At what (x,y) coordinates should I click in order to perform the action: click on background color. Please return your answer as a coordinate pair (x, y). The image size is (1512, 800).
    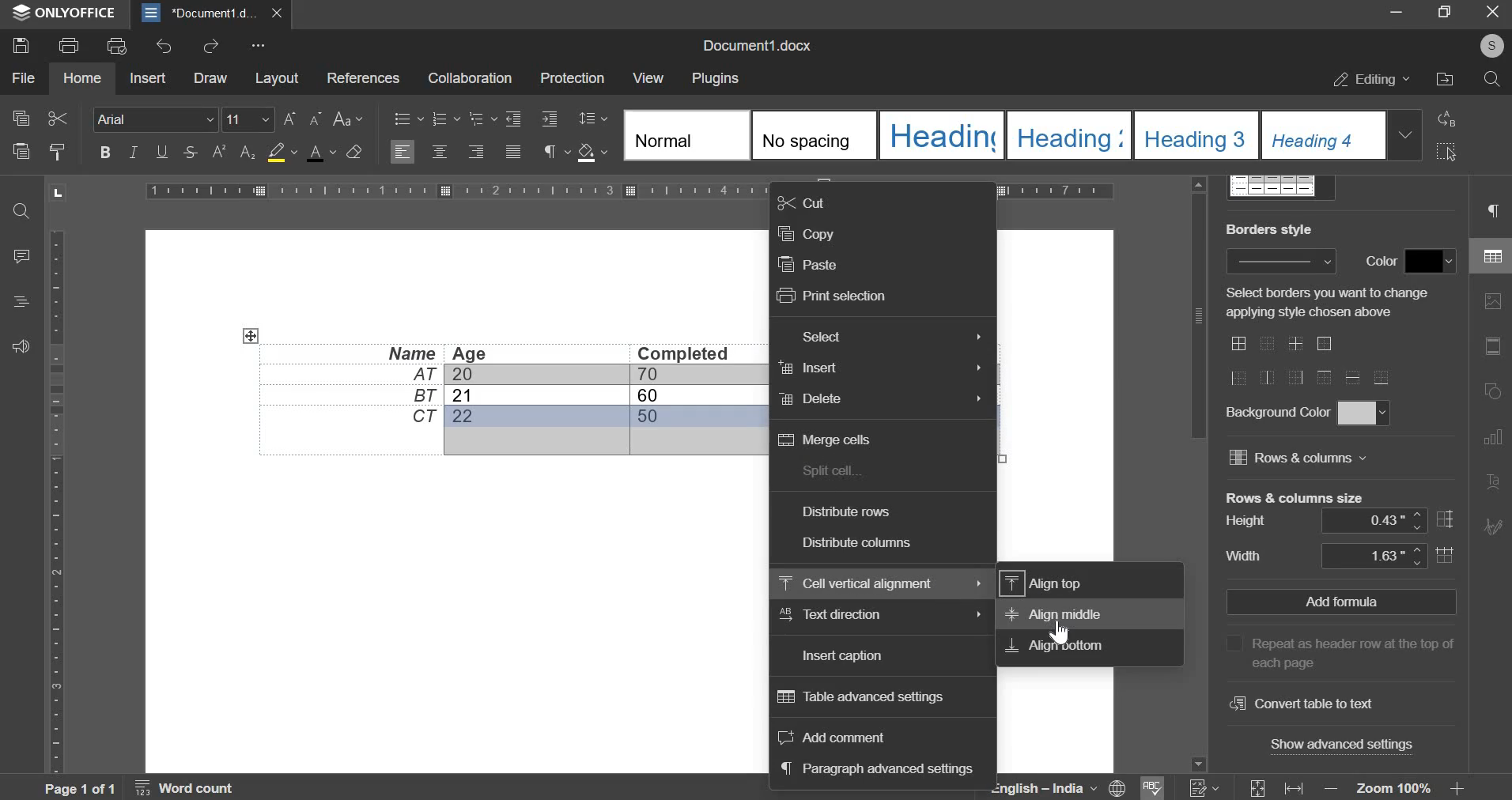
    Looking at the image, I should click on (277, 153).